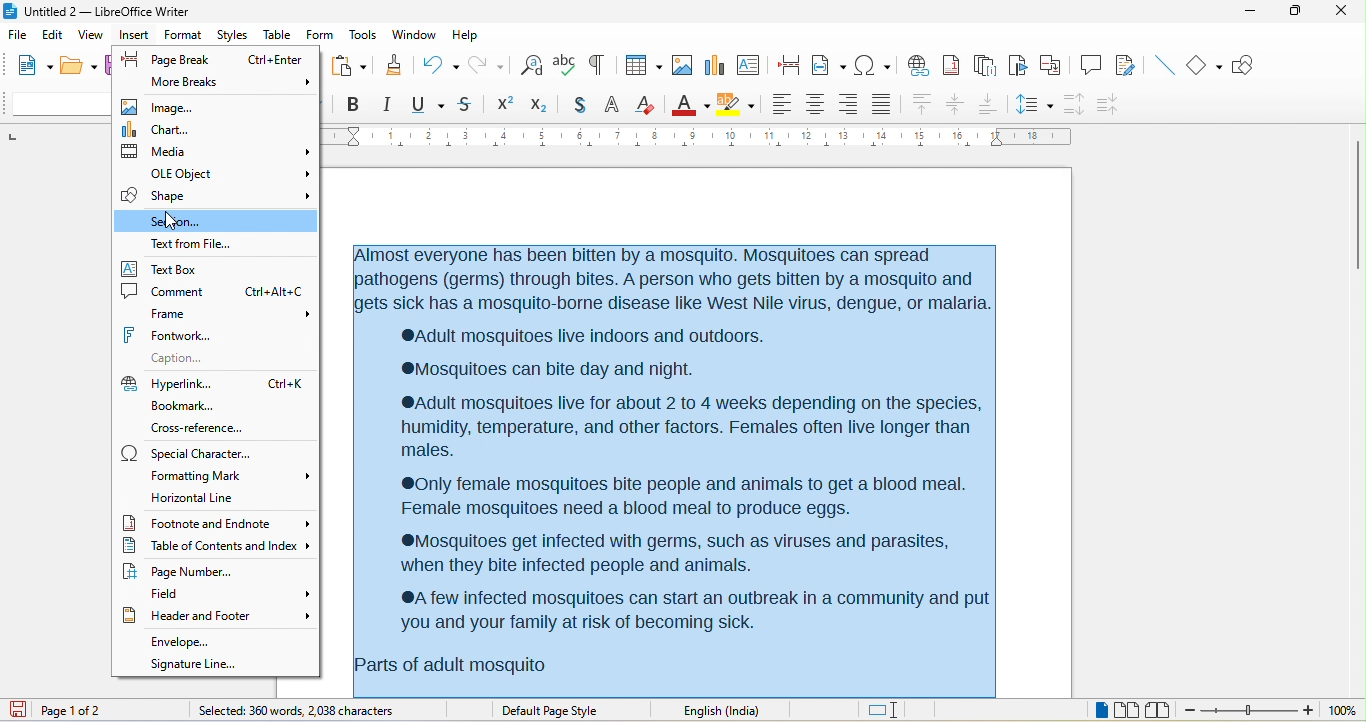 This screenshot has height=722, width=1366. What do you see at coordinates (463, 31) in the screenshot?
I see `help` at bounding box center [463, 31].